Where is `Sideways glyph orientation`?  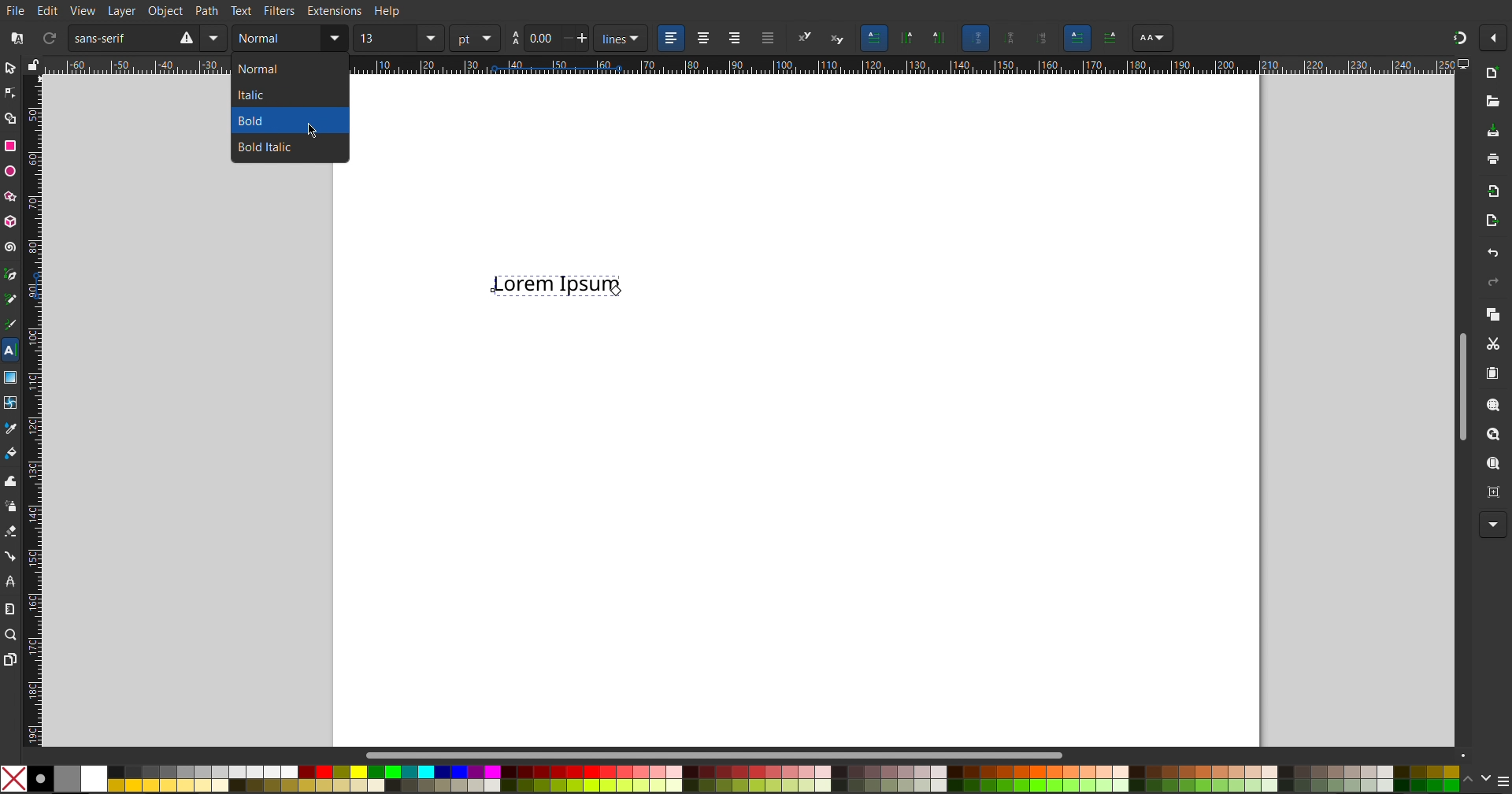
Sideways glyph orientation is located at coordinates (1043, 37).